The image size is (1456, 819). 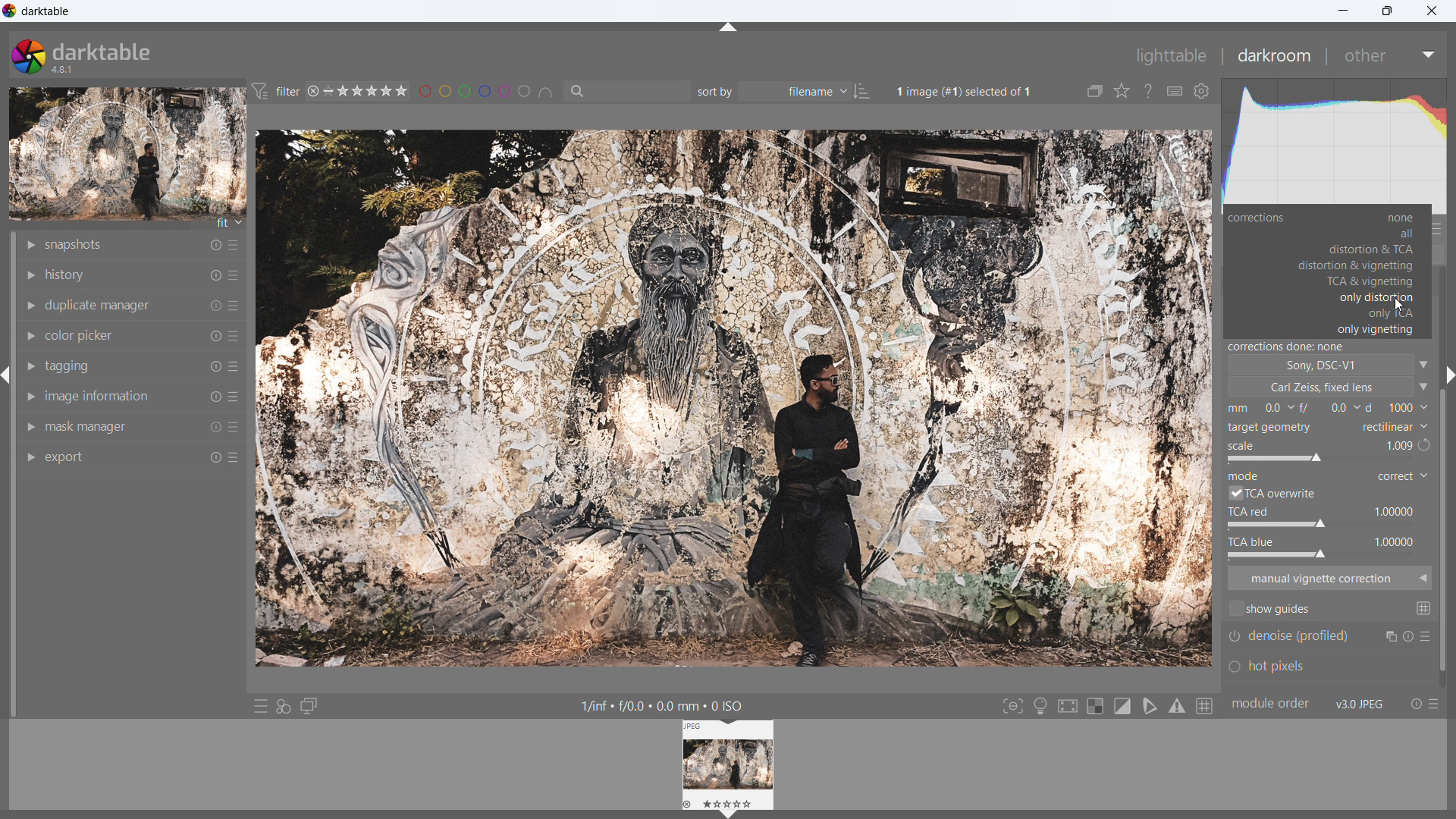 What do you see at coordinates (1260, 409) in the screenshot?
I see `focal length` at bounding box center [1260, 409].